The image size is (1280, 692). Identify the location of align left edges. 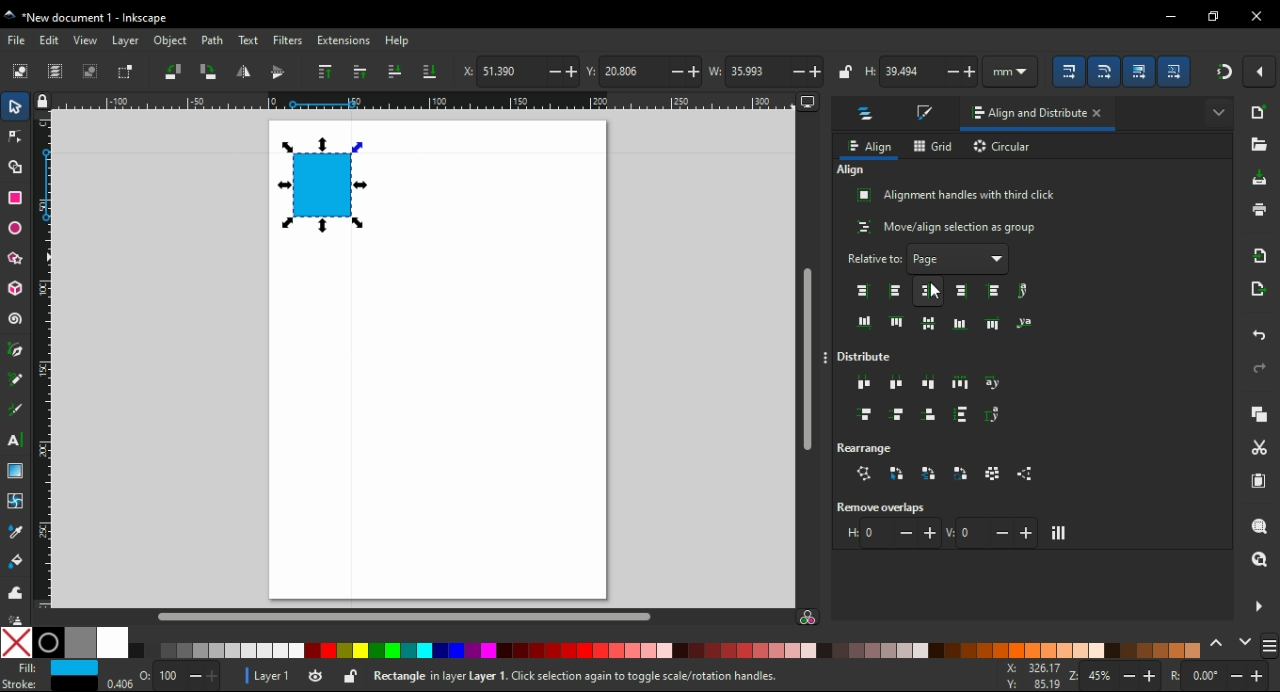
(894, 291).